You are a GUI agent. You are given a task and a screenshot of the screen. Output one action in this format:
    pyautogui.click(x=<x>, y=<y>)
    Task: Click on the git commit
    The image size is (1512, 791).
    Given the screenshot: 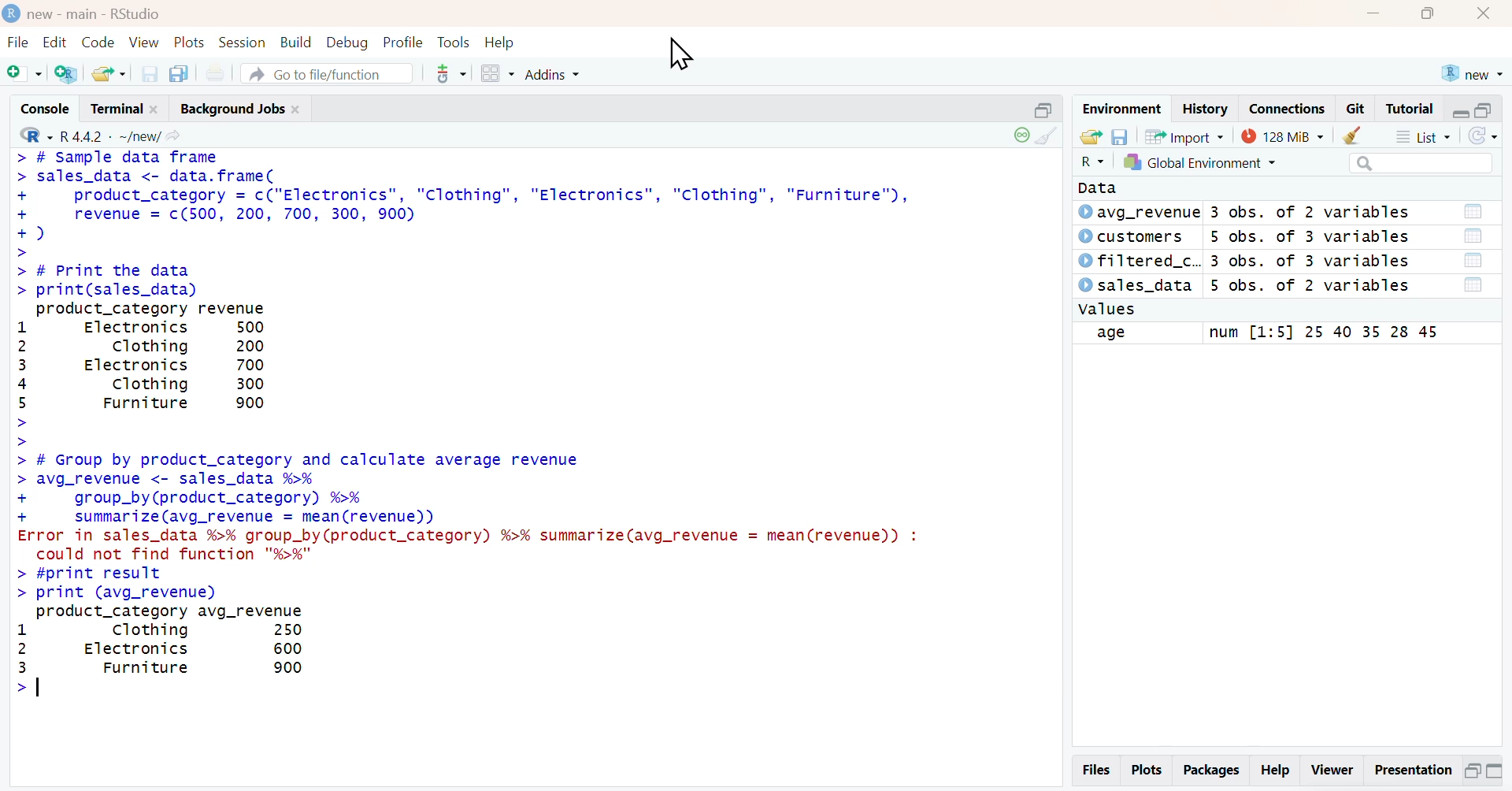 What is the action you would take?
    pyautogui.click(x=446, y=74)
    